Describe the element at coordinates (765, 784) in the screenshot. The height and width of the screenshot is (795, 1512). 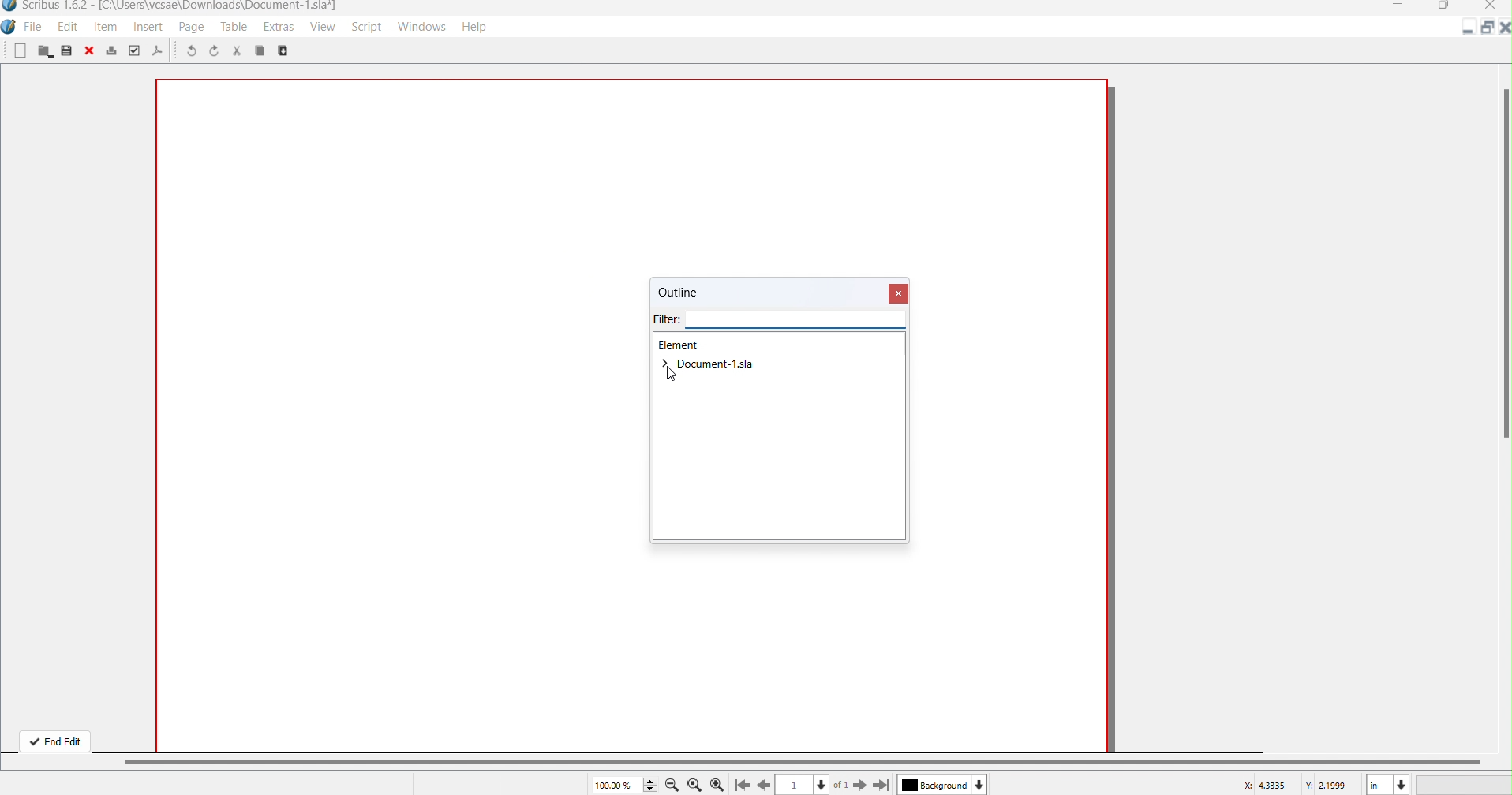
I see `back` at that location.